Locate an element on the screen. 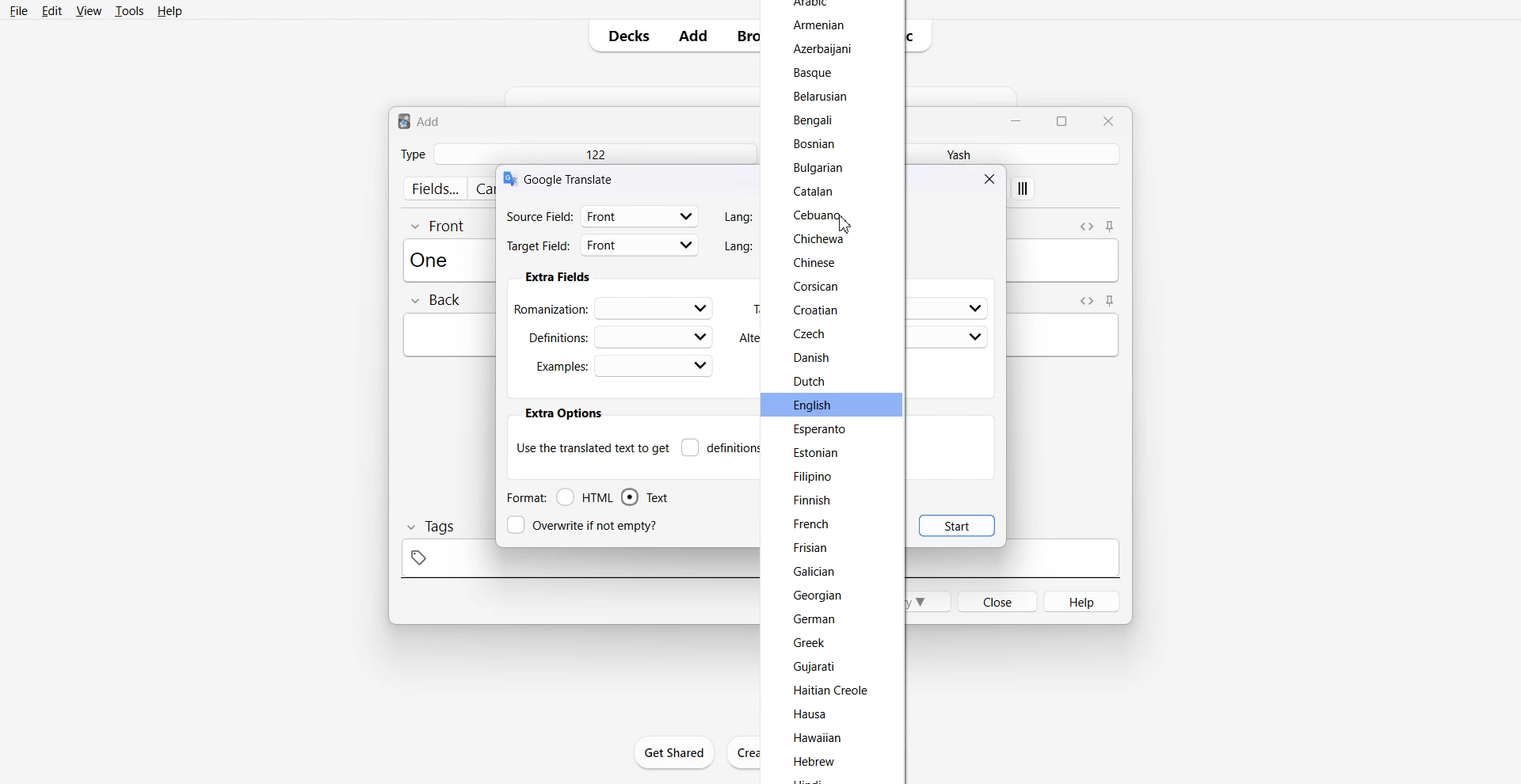  Hebrew is located at coordinates (817, 762).